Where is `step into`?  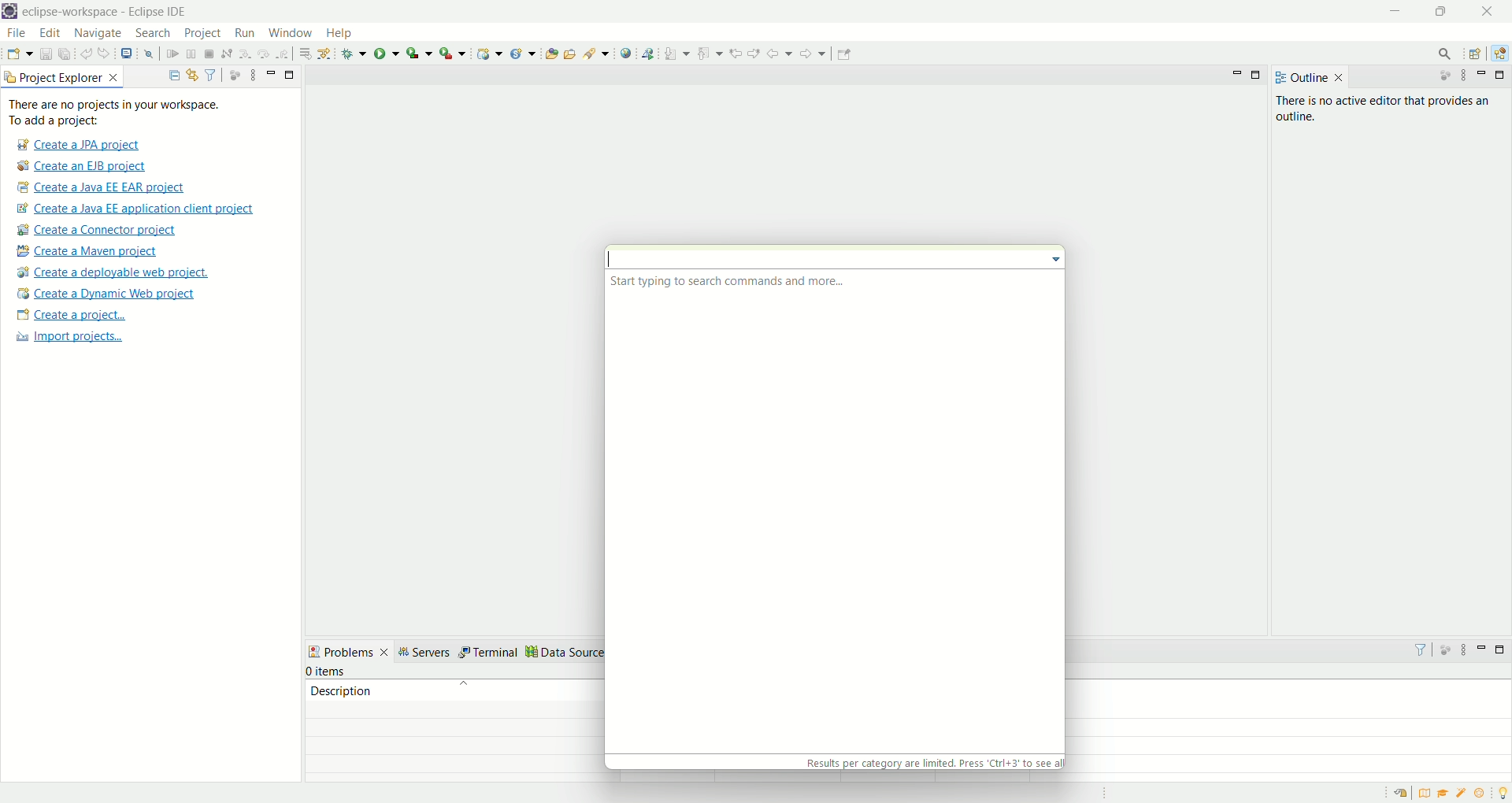 step into is located at coordinates (243, 52).